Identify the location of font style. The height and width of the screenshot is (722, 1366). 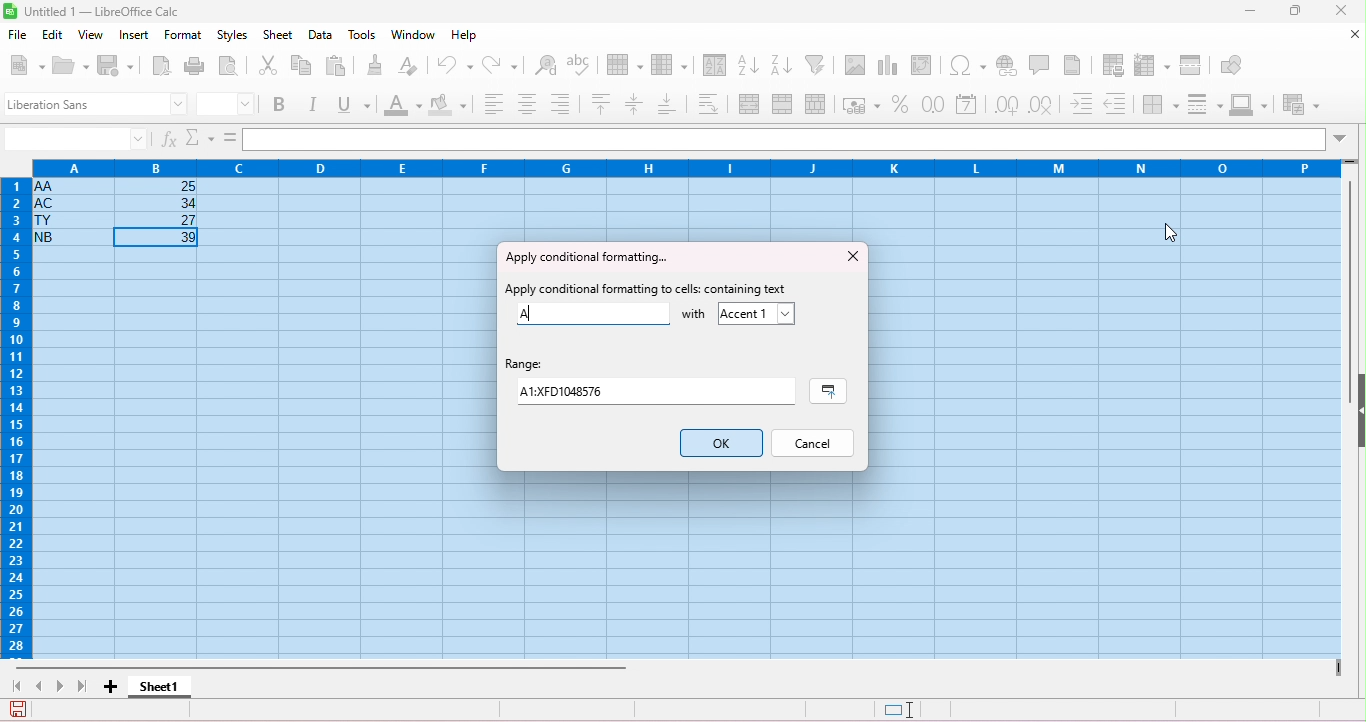
(94, 103).